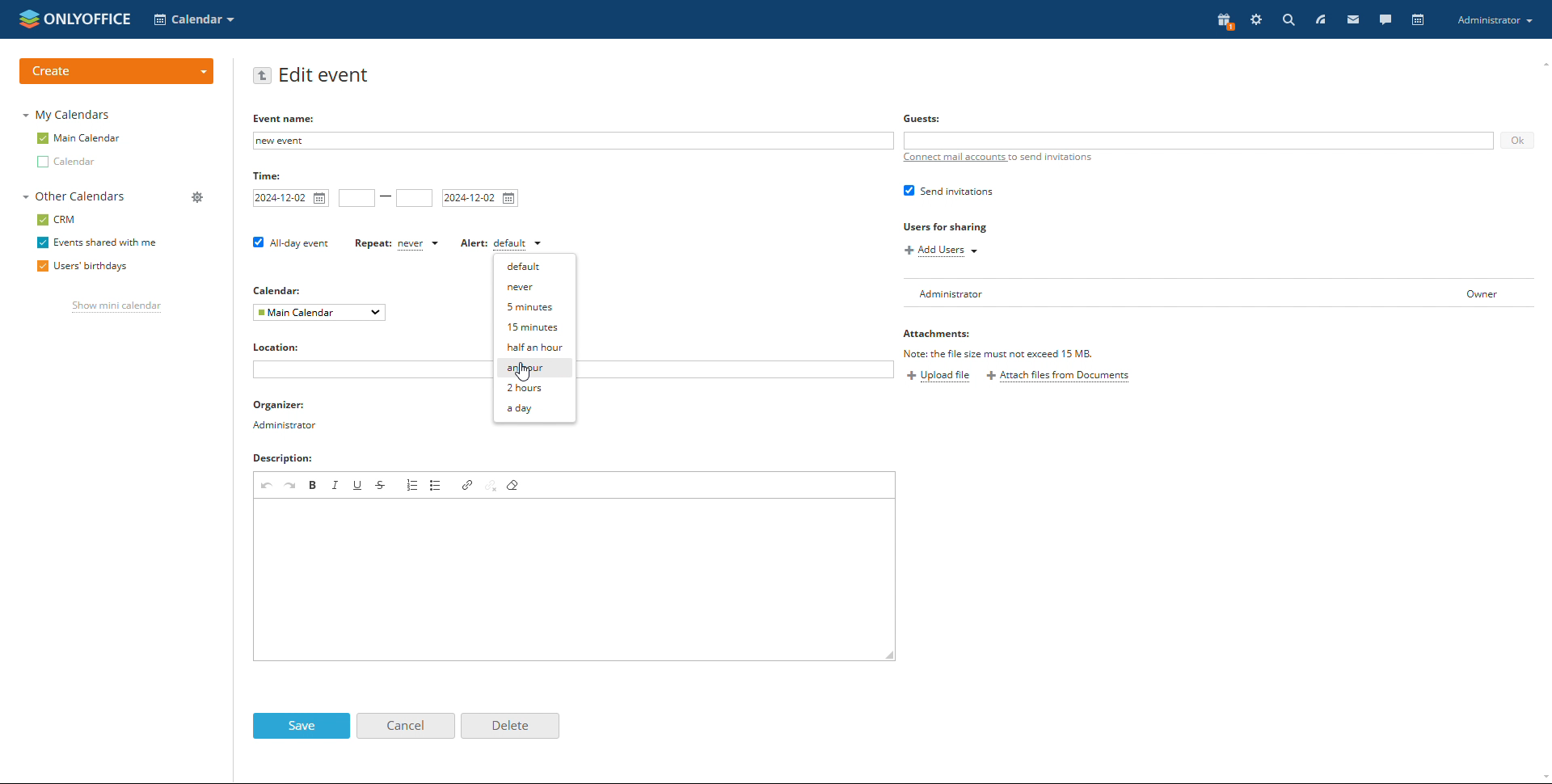  Describe the element at coordinates (574, 141) in the screenshot. I see `add event name` at that location.